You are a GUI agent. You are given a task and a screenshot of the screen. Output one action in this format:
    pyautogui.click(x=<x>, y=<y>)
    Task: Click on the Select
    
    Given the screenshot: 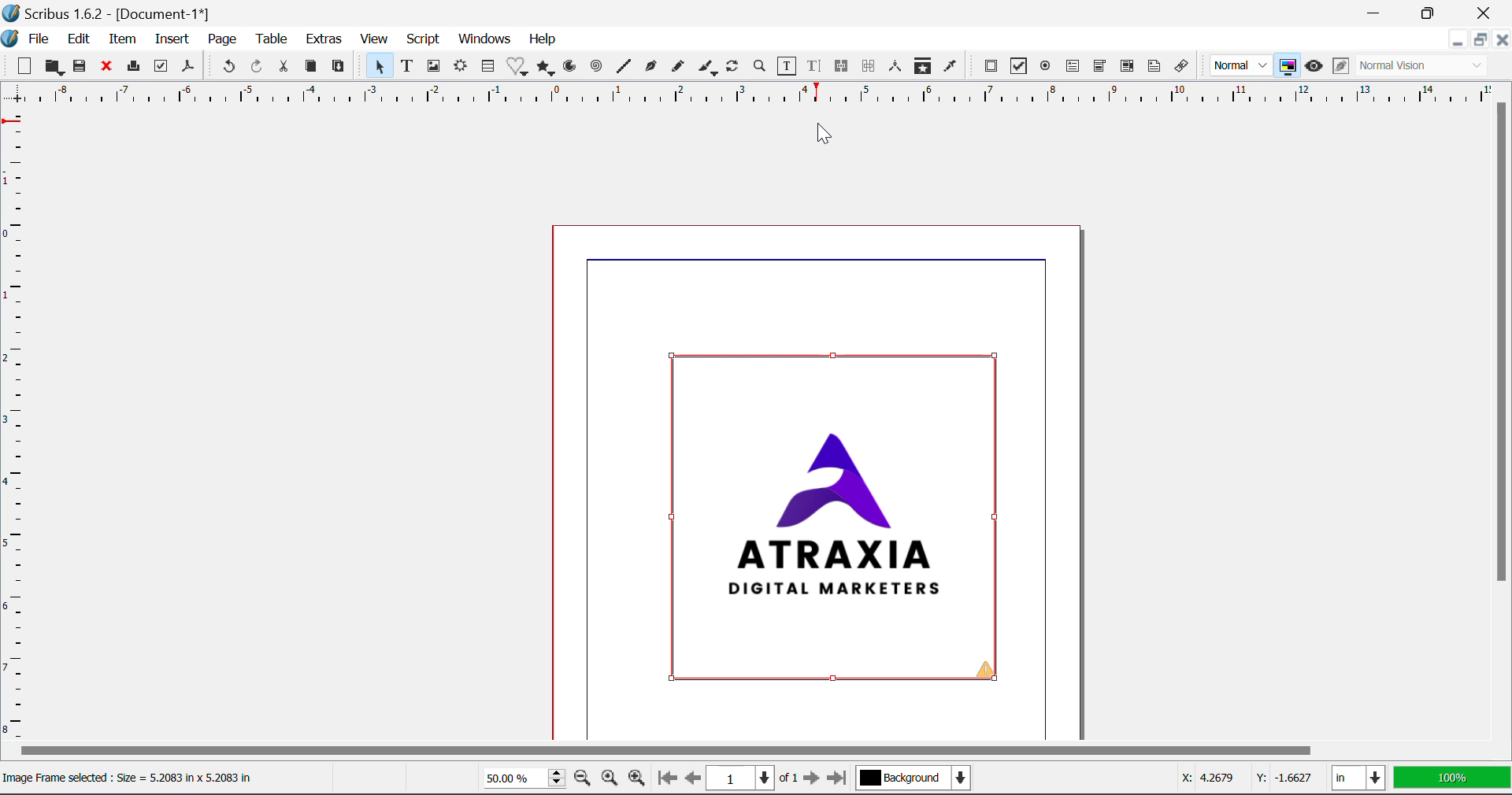 What is the action you would take?
    pyautogui.click(x=378, y=66)
    